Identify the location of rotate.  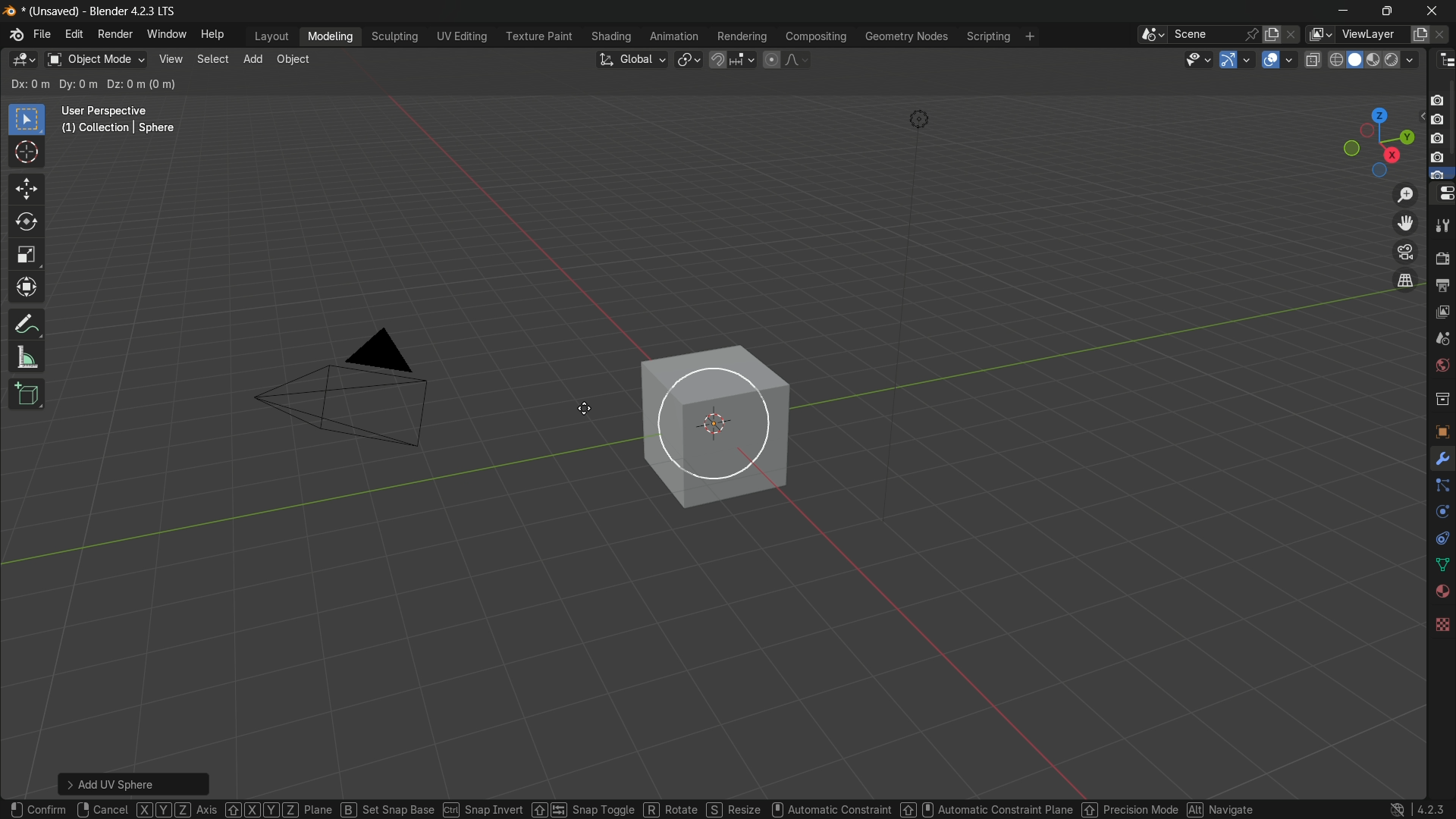
(29, 225).